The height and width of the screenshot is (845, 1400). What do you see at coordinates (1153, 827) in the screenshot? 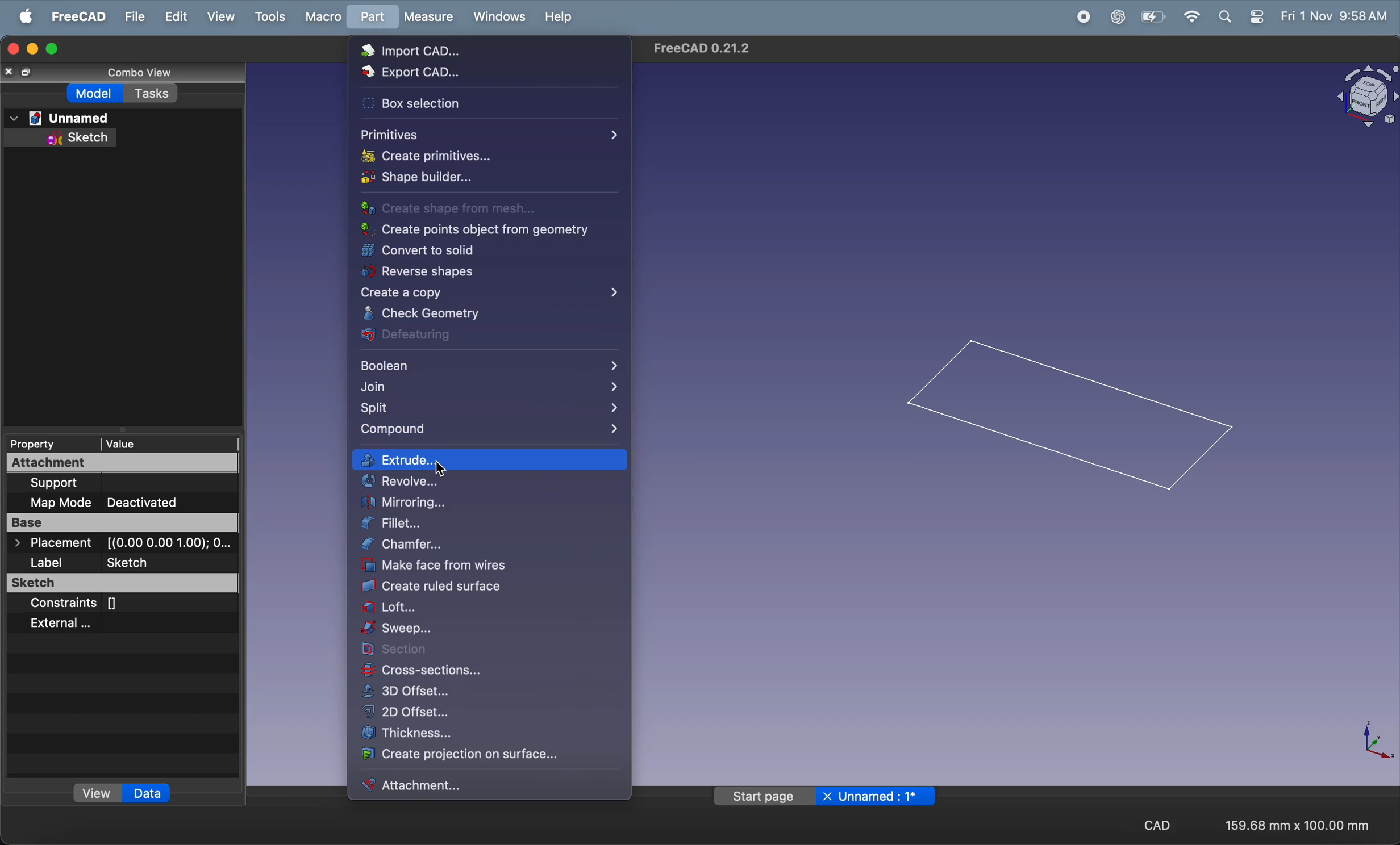
I see `cad` at bounding box center [1153, 827].